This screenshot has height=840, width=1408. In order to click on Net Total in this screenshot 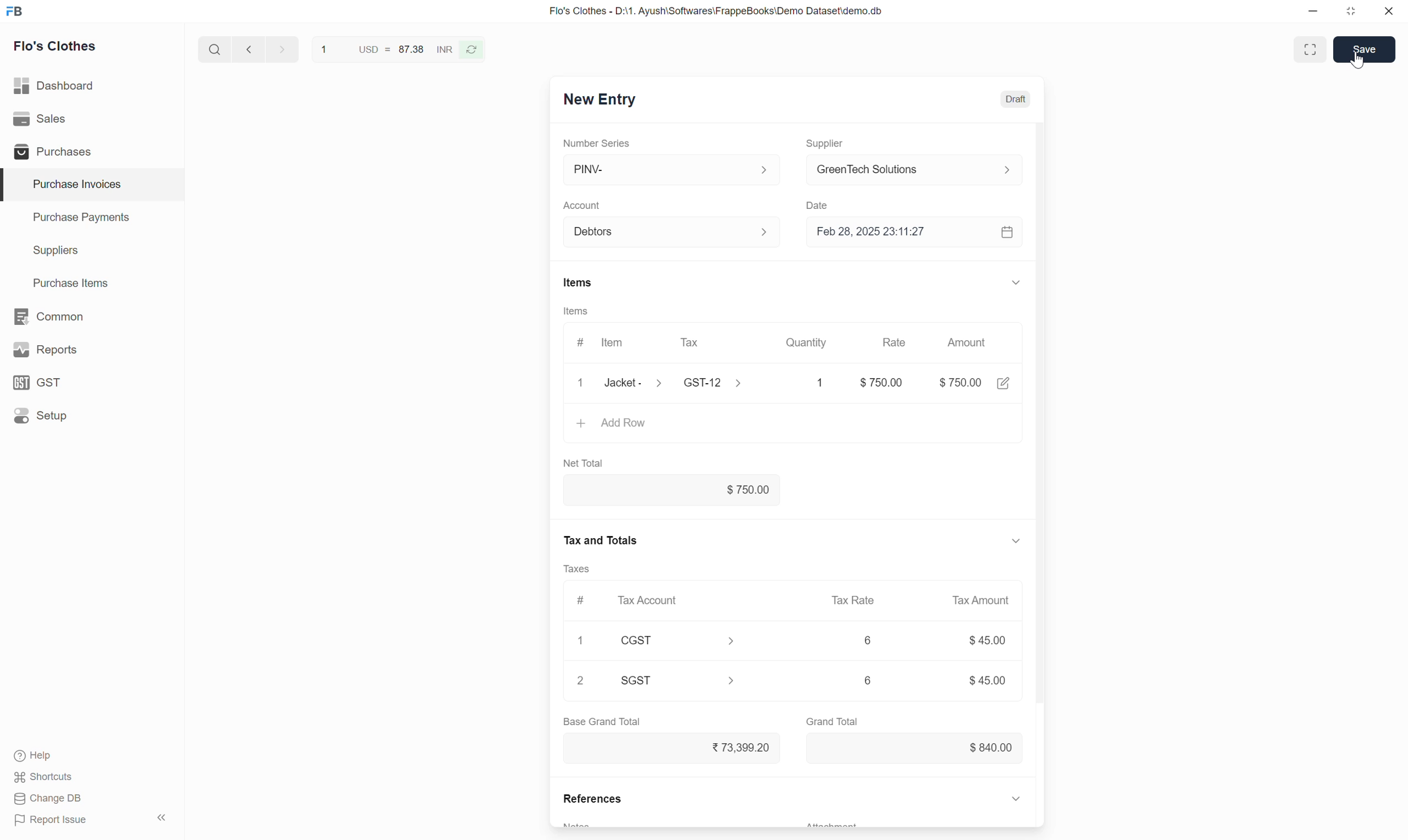, I will do `click(584, 464)`.